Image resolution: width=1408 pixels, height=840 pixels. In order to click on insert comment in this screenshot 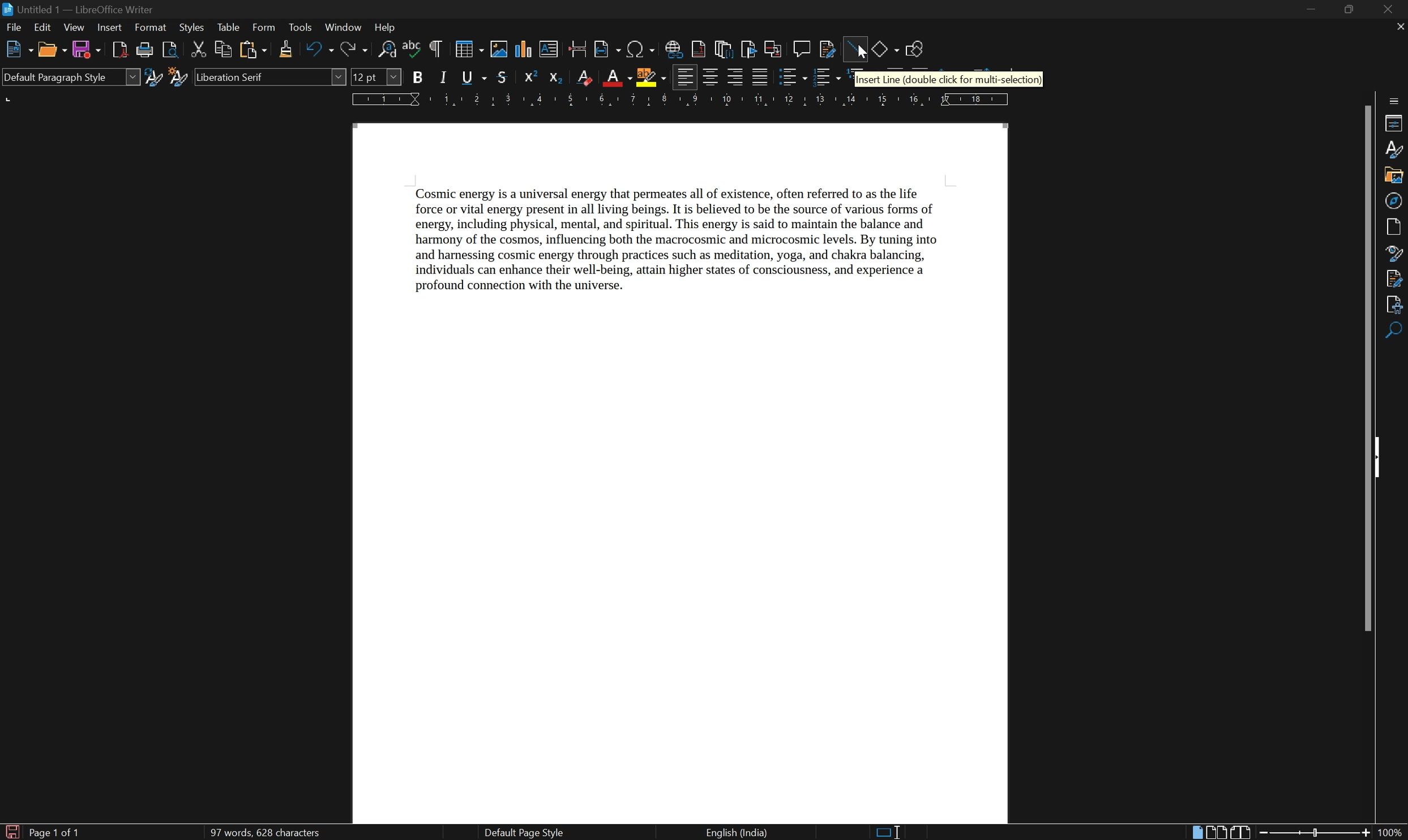, I will do `click(803, 48)`.